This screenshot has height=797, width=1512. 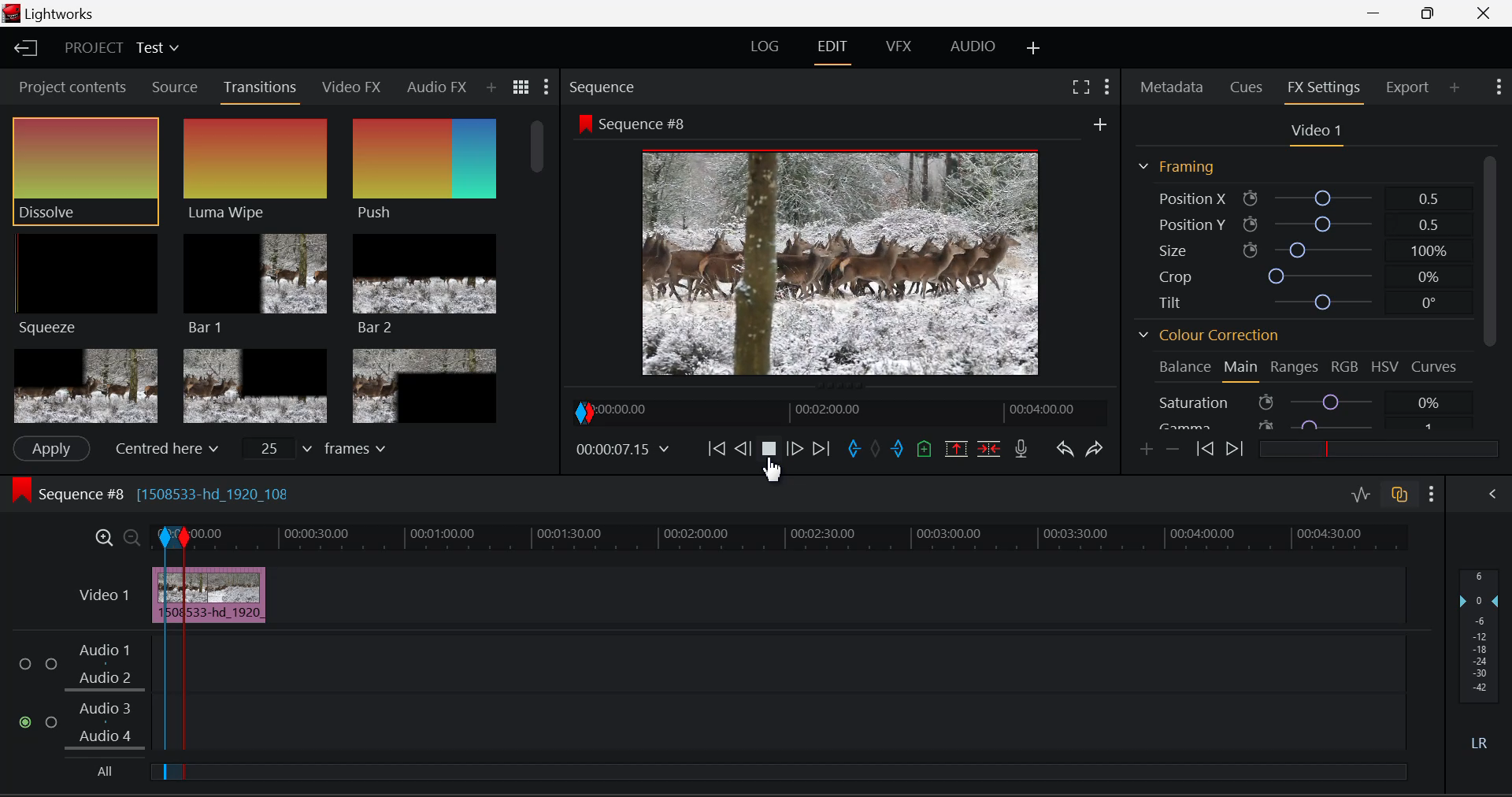 I want to click on Box 2, so click(x=255, y=384).